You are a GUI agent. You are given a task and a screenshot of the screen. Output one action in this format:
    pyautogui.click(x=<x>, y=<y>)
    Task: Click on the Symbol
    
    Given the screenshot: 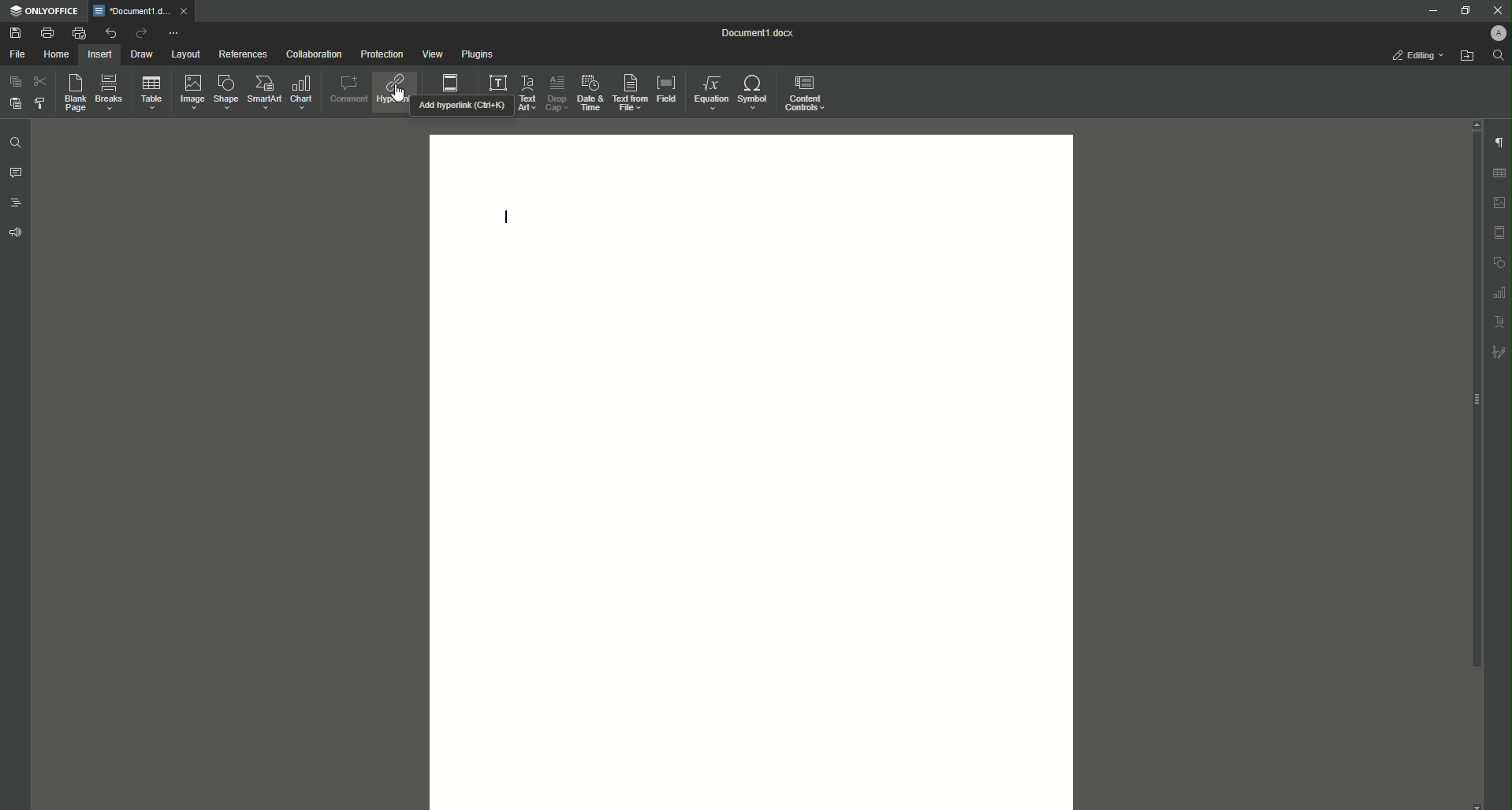 What is the action you would take?
    pyautogui.click(x=754, y=91)
    